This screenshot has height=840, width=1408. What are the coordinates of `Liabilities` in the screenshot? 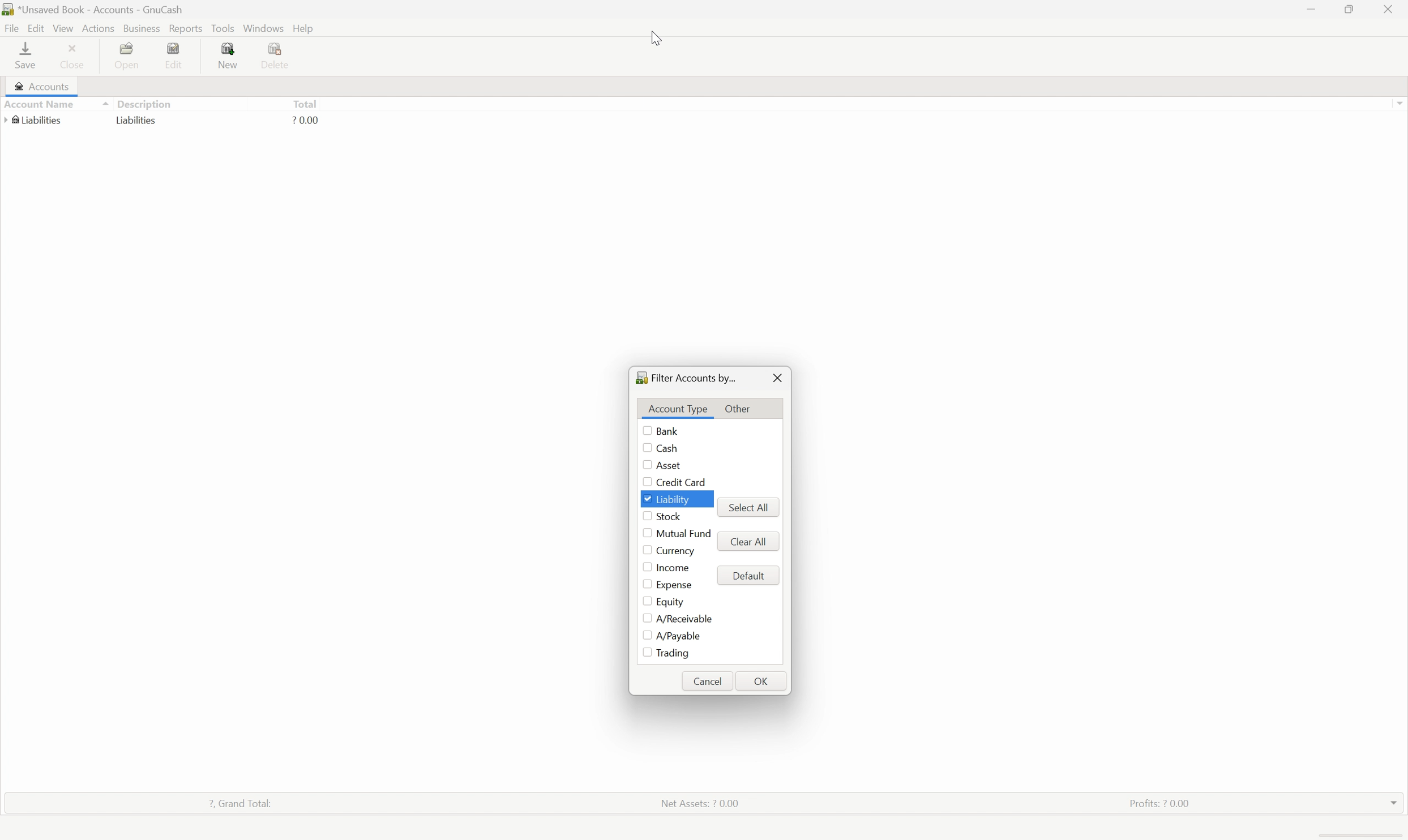 It's located at (33, 119).